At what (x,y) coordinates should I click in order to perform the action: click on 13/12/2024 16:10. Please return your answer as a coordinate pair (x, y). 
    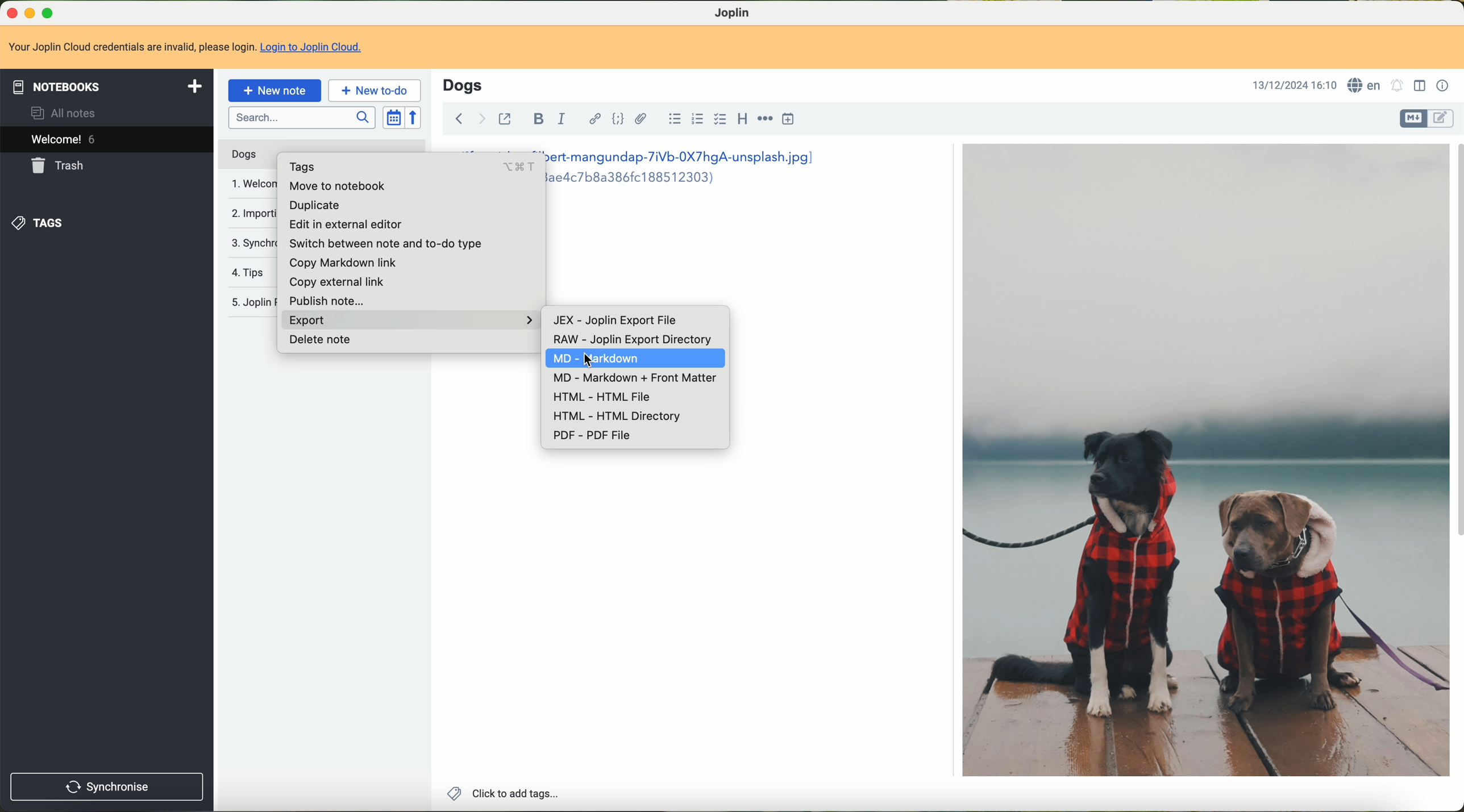
    Looking at the image, I should click on (1292, 84).